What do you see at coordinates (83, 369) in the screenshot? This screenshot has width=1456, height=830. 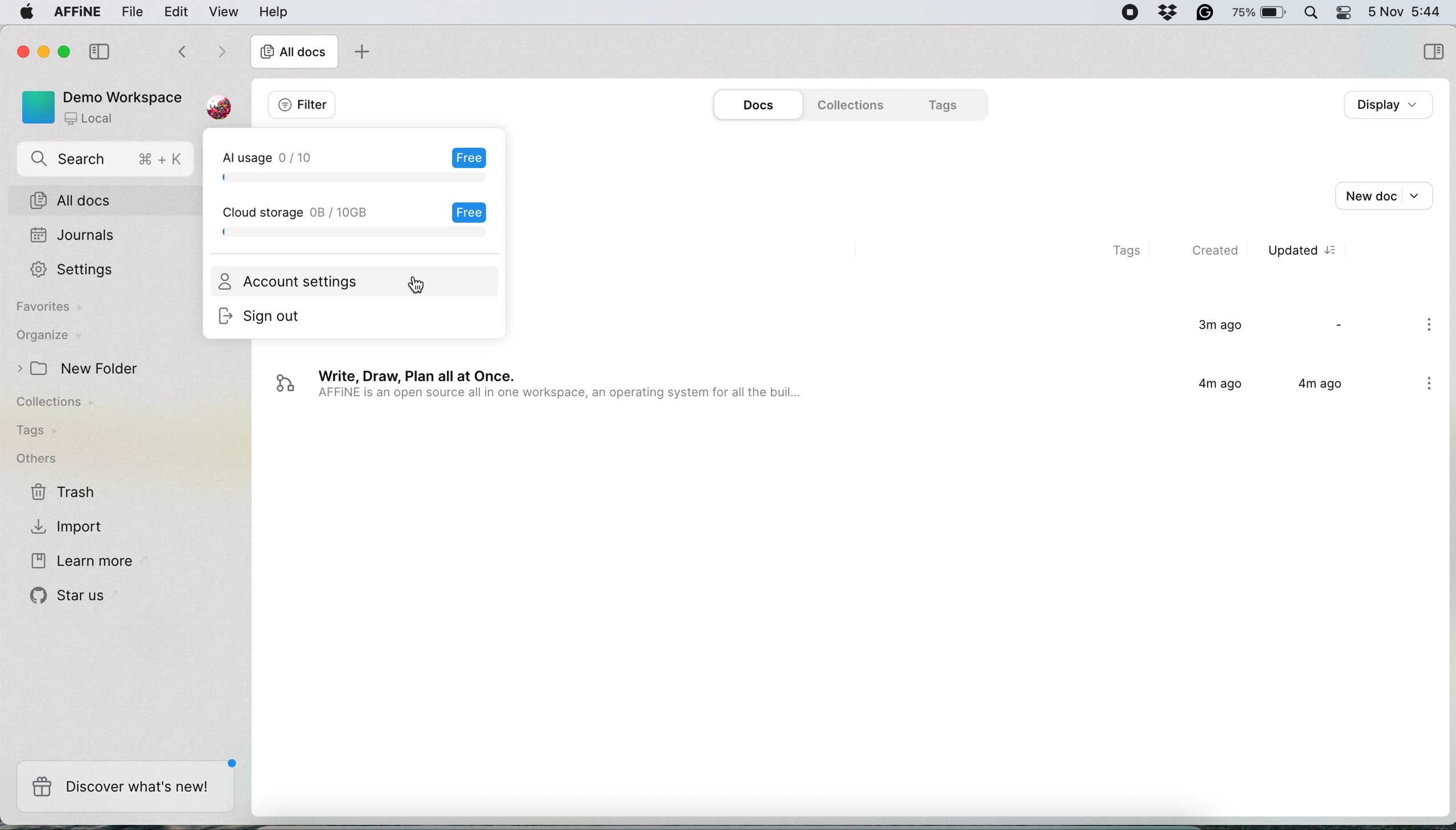 I see `new folder` at bounding box center [83, 369].